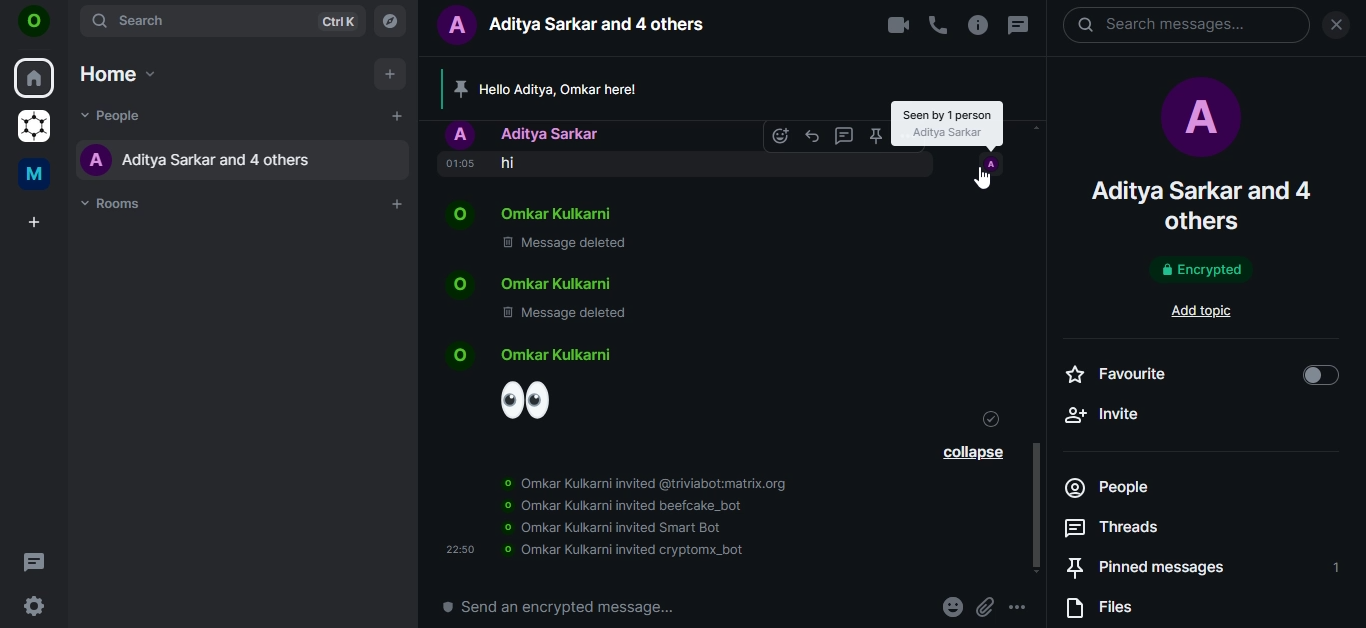  I want to click on search, so click(223, 21).